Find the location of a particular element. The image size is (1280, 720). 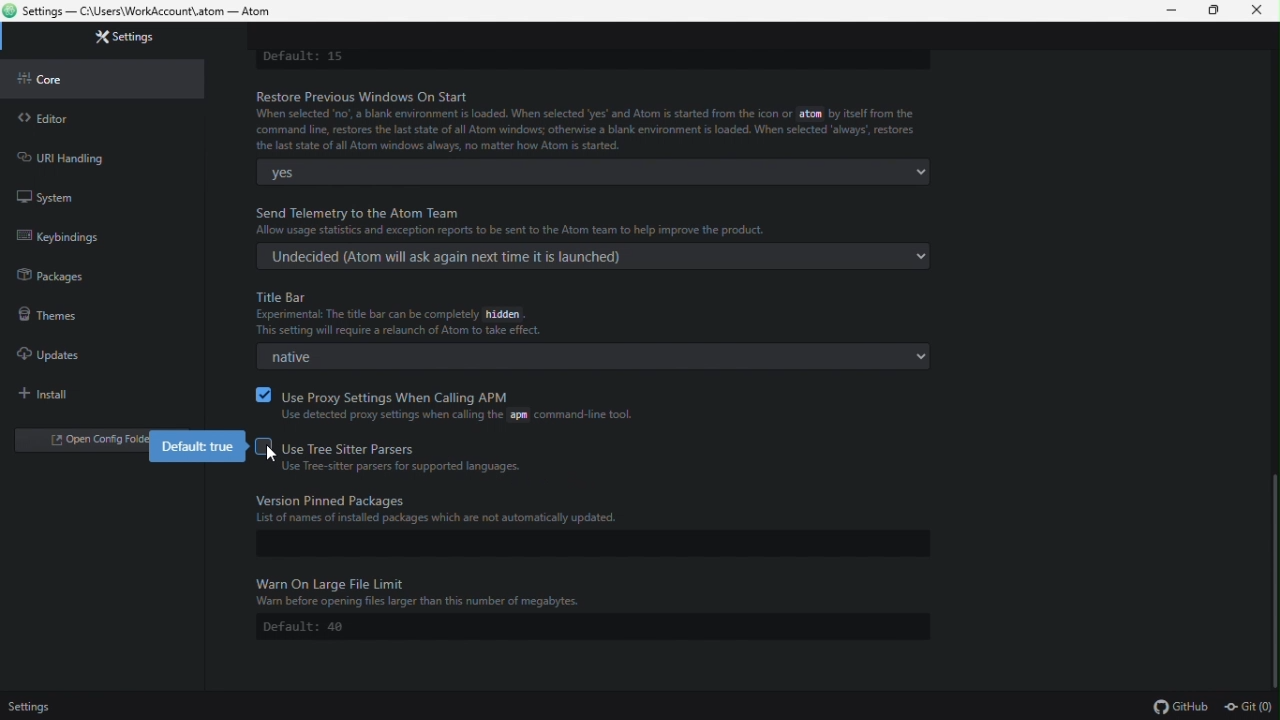

settings is located at coordinates (128, 37).